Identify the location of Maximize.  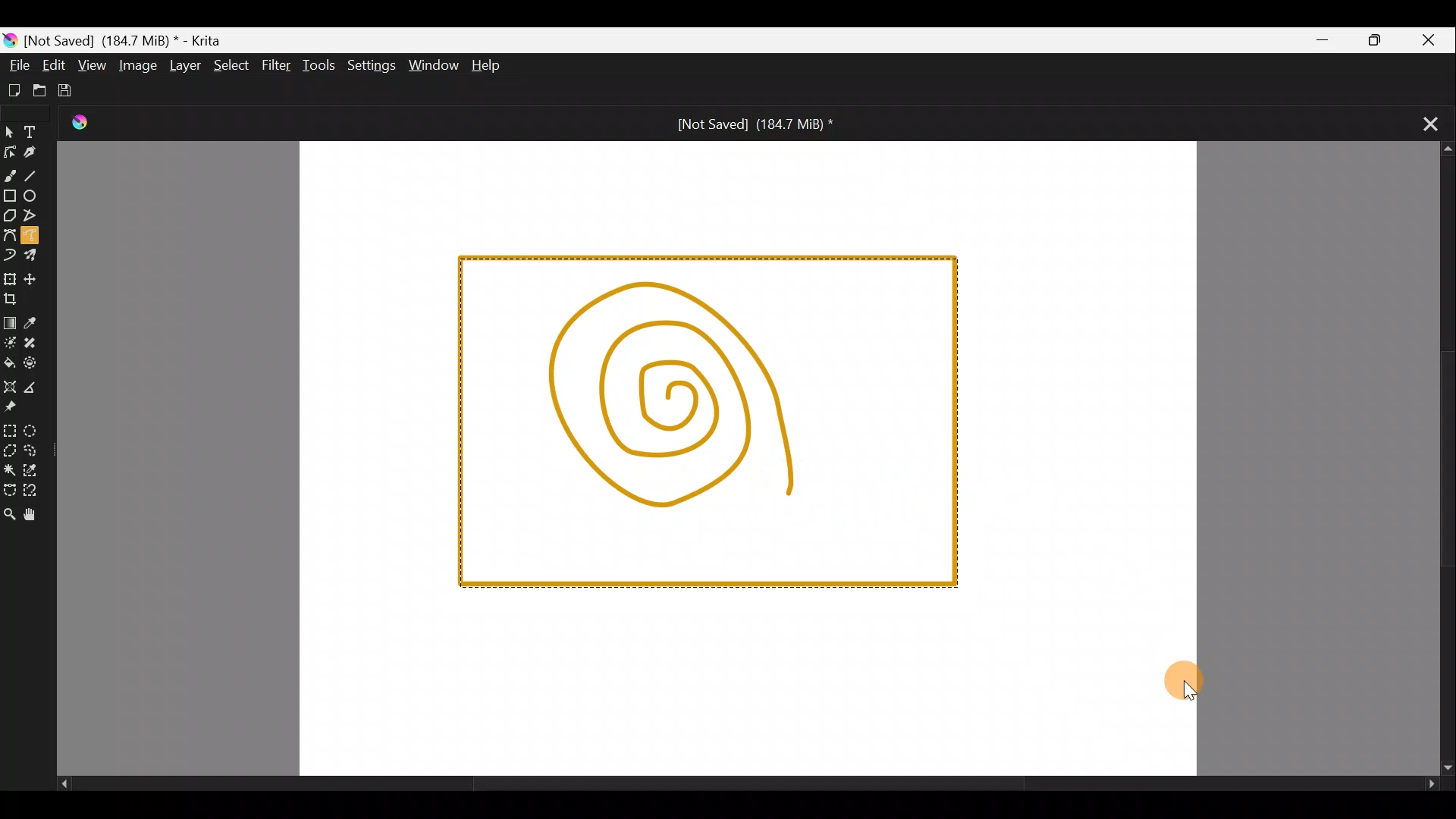
(1379, 39).